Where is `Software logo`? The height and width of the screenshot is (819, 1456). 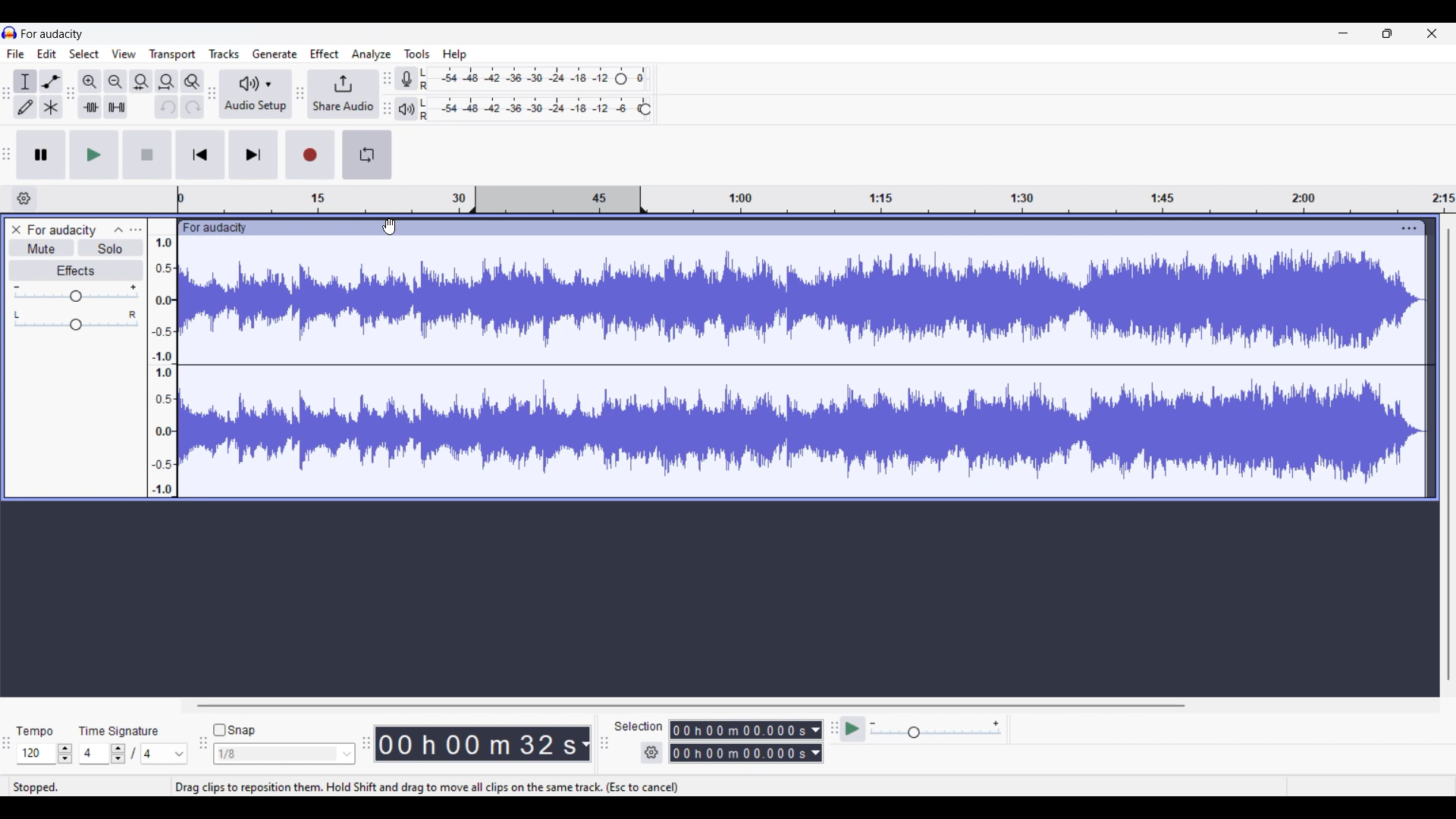 Software logo is located at coordinates (10, 33).